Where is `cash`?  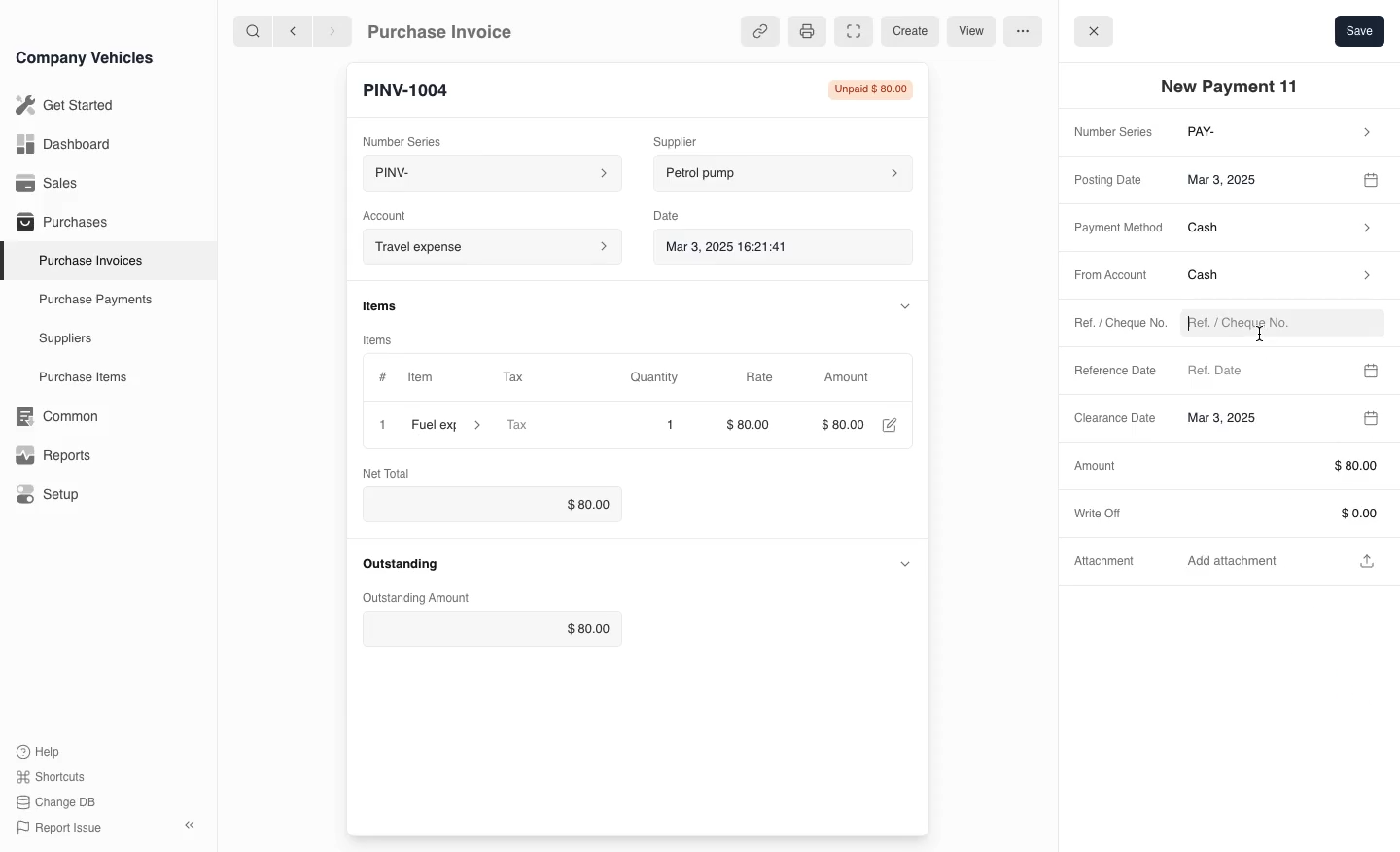
cash is located at coordinates (1280, 231).